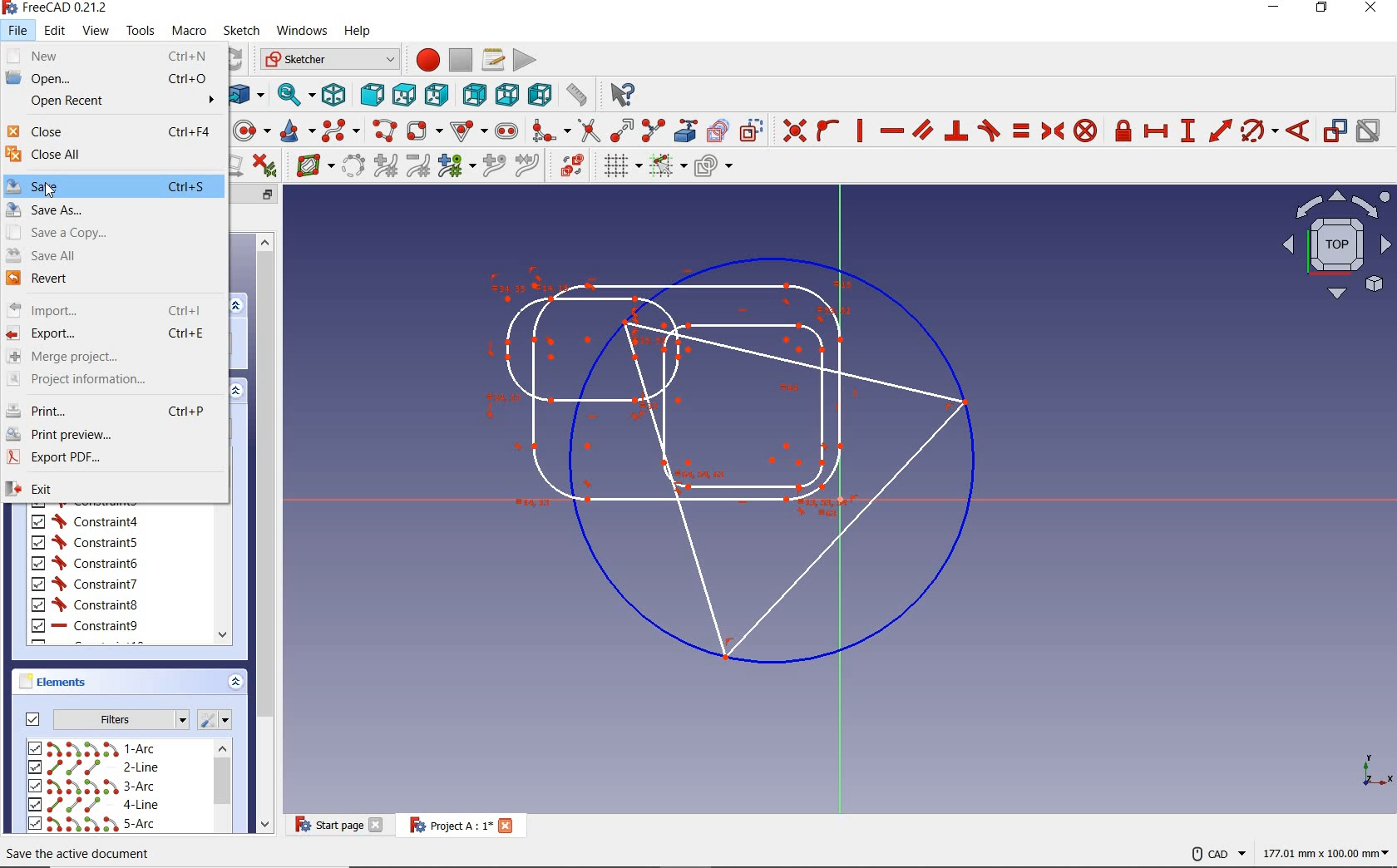  What do you see at coordinates (522, 62) in the screenshot?
I see `execute macro` at bounding box center [522, 62].